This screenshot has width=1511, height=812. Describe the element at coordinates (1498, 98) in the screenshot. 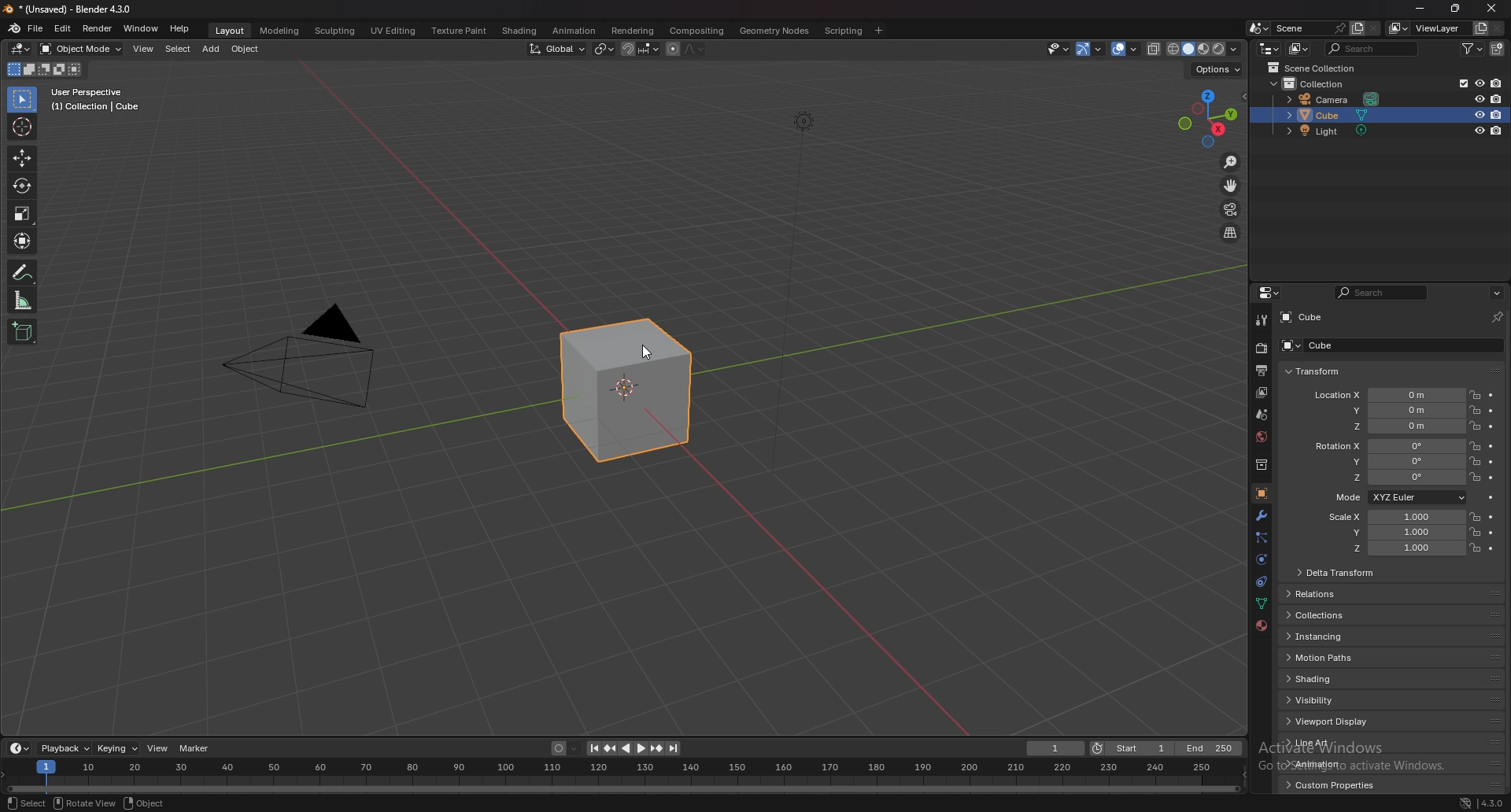

I see `disable in render` at that location.